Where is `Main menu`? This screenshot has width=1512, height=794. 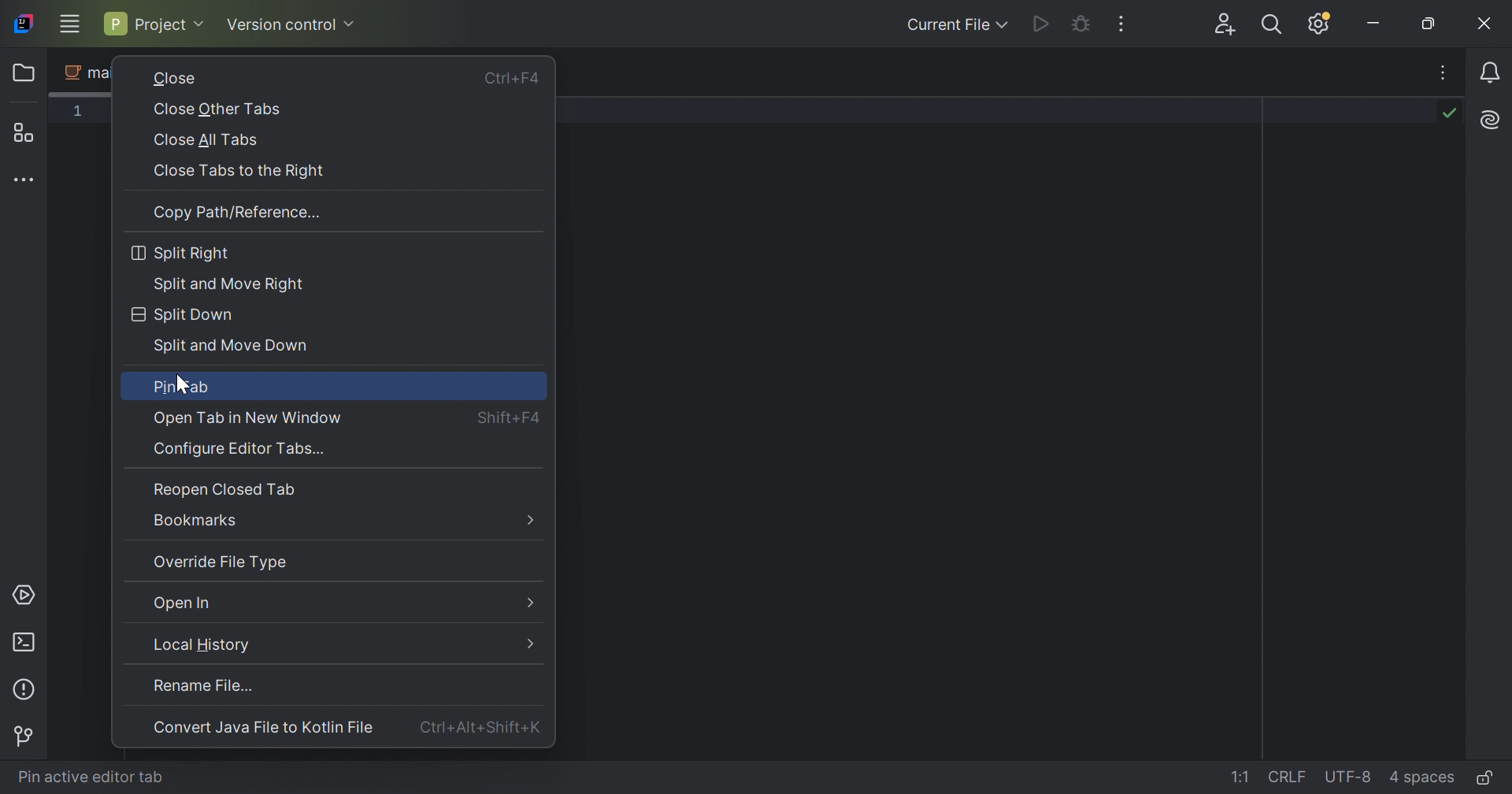 Main menu is located at coordinates (69, 24).